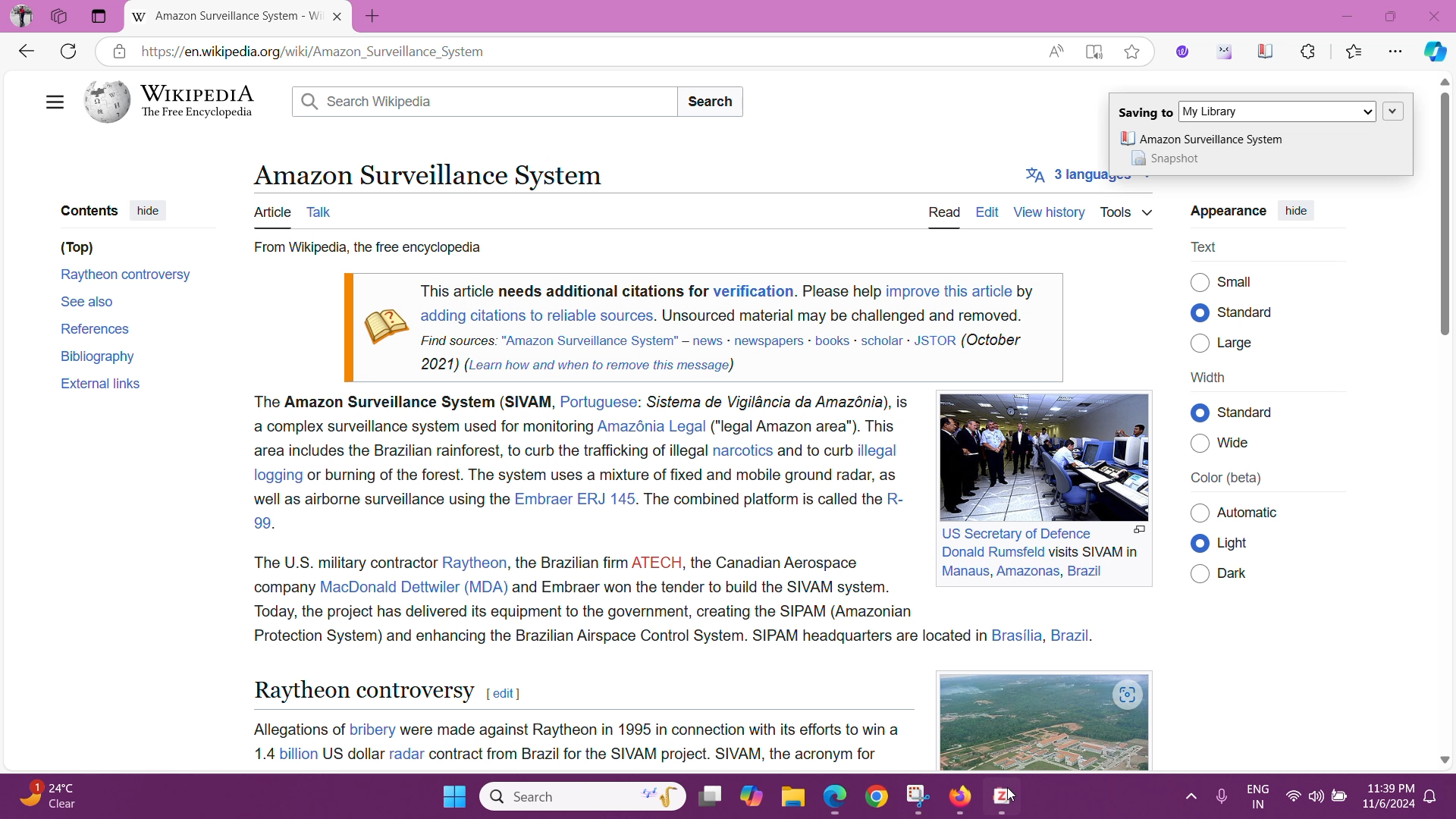 This screenshot has height=819, width=1456. What do you see at coordinates (1227, 479) in the screenshot?
I see `Color (beta)` at bounding box center [1227, 479].